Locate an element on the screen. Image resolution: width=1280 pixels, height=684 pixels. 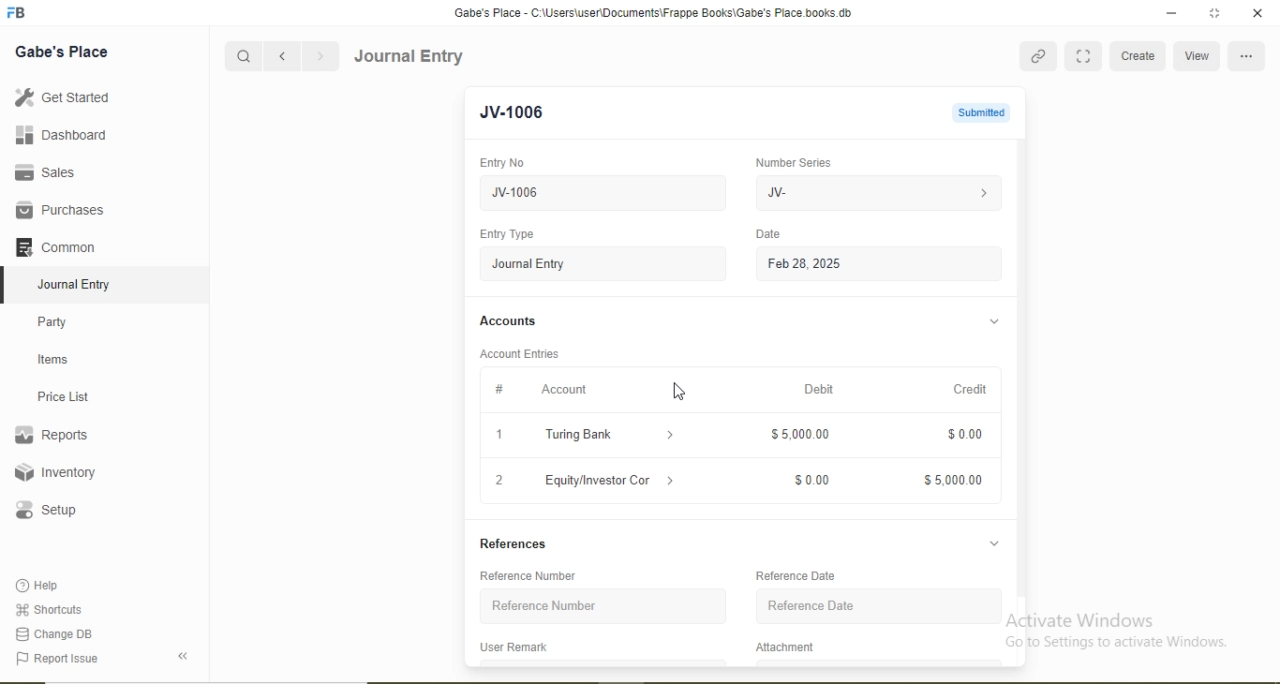
Dropdown is located at coordinates (672, 436).